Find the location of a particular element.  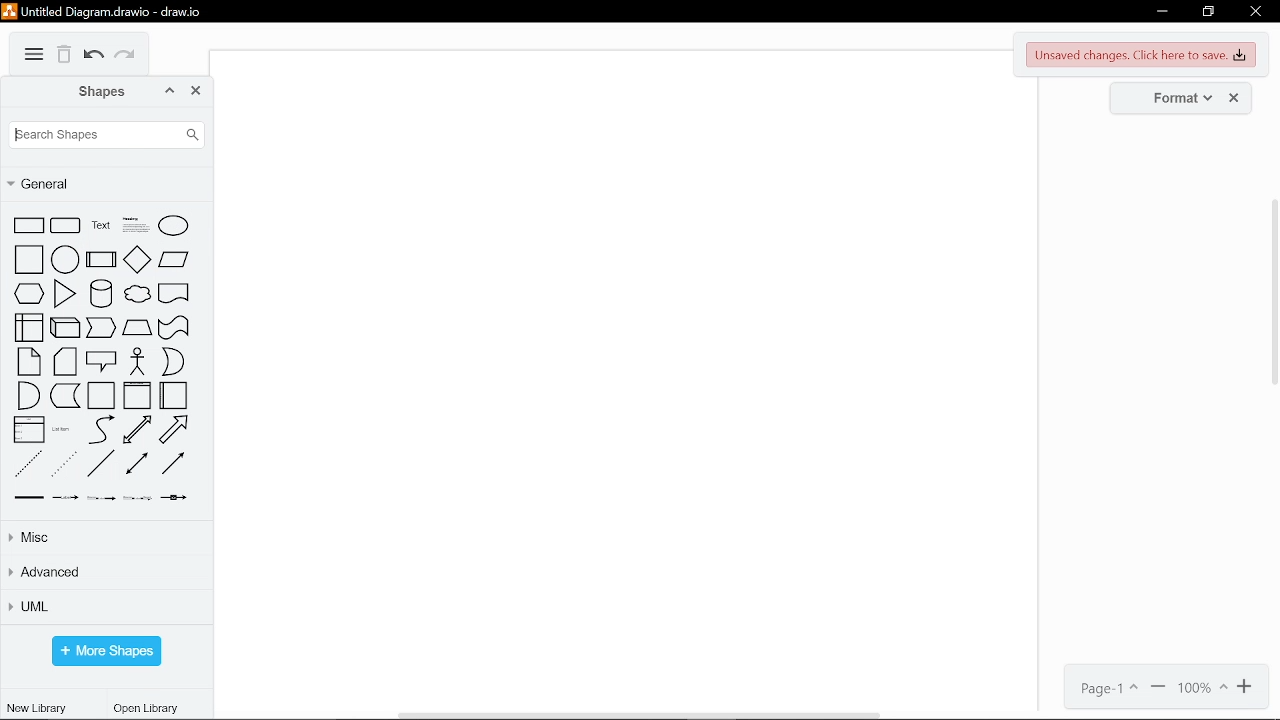

connector with 3 label is located at coordinates (138, 498).